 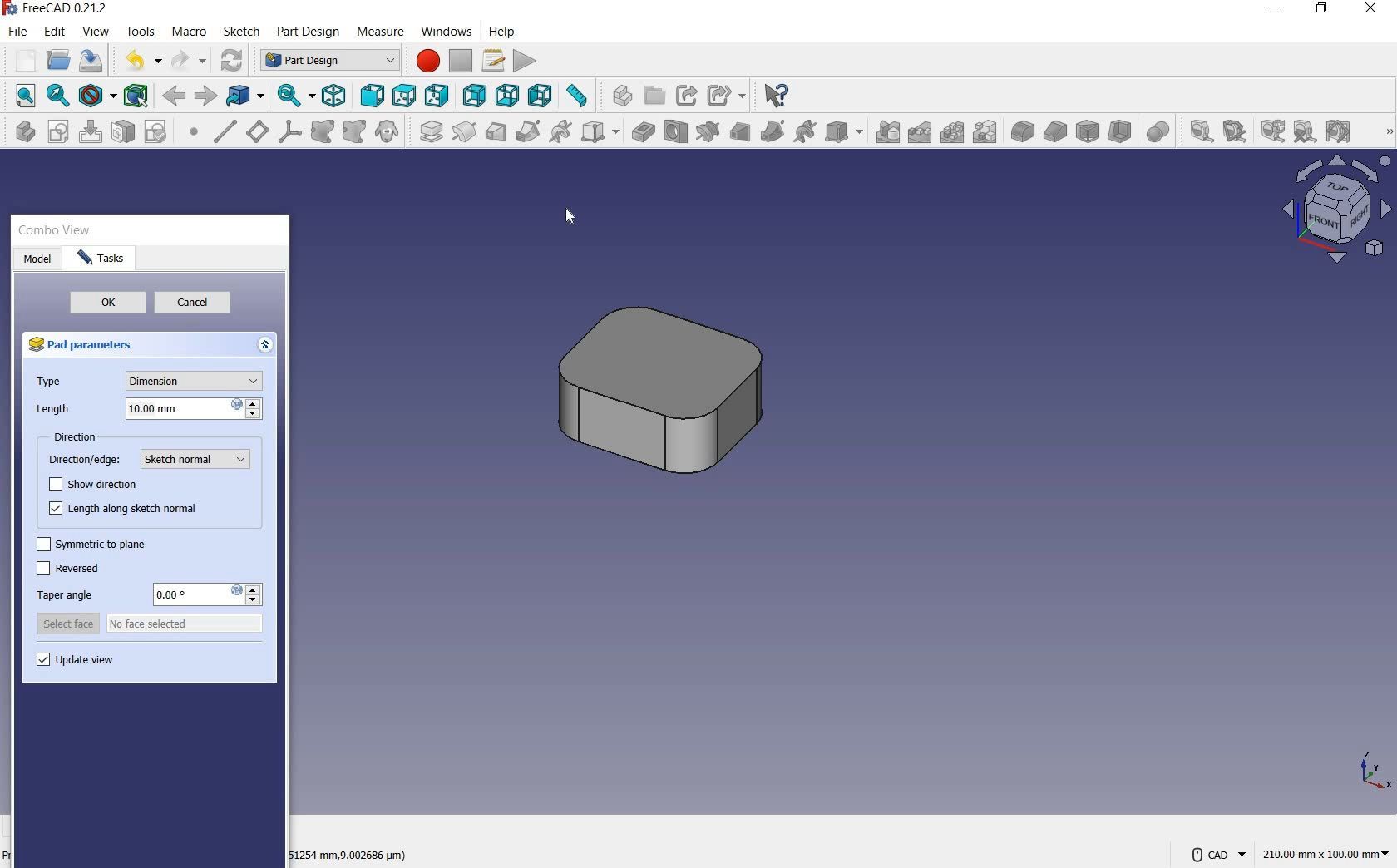 I want to click on left, so click(x=542, y=94).